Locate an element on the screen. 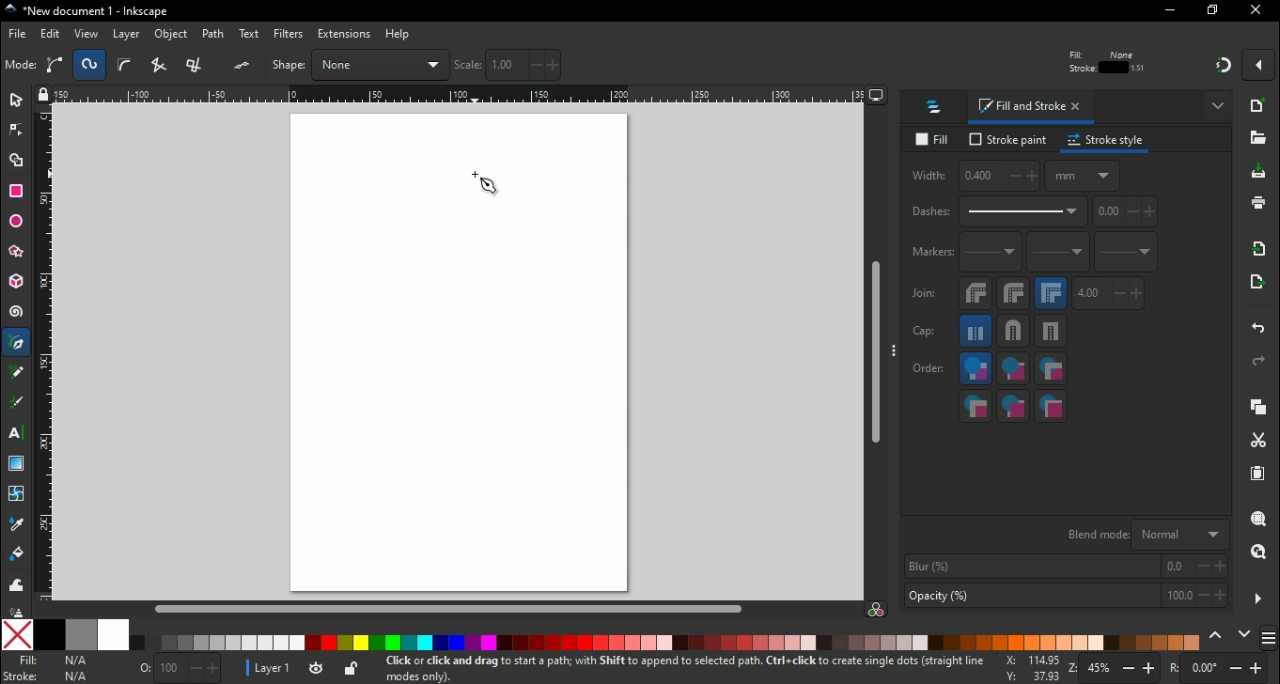 The image size is (1280, 684). bevel is located at coordinates (975, 297).